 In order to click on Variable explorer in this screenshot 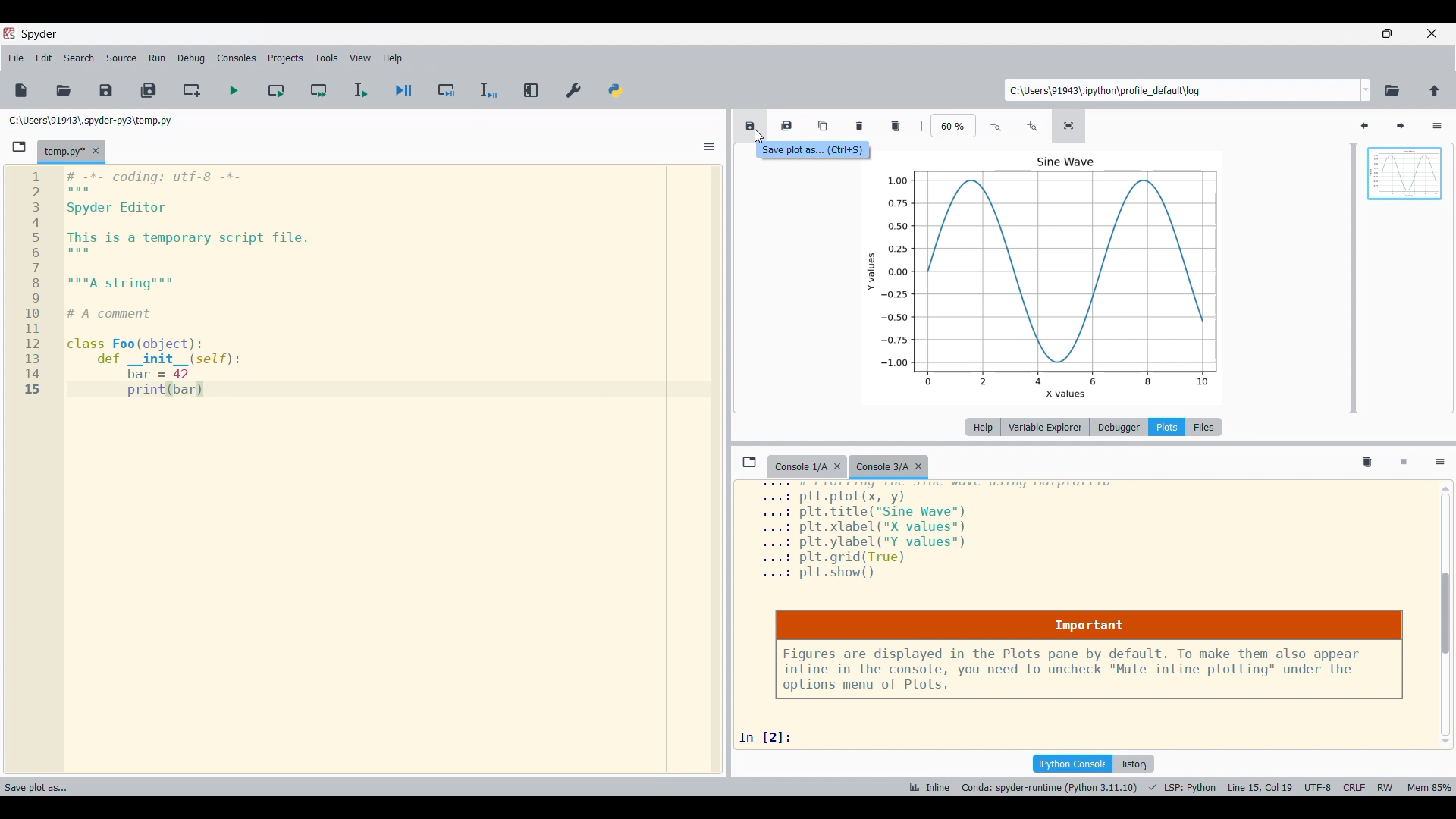, I will do `click(1046, 427)`.